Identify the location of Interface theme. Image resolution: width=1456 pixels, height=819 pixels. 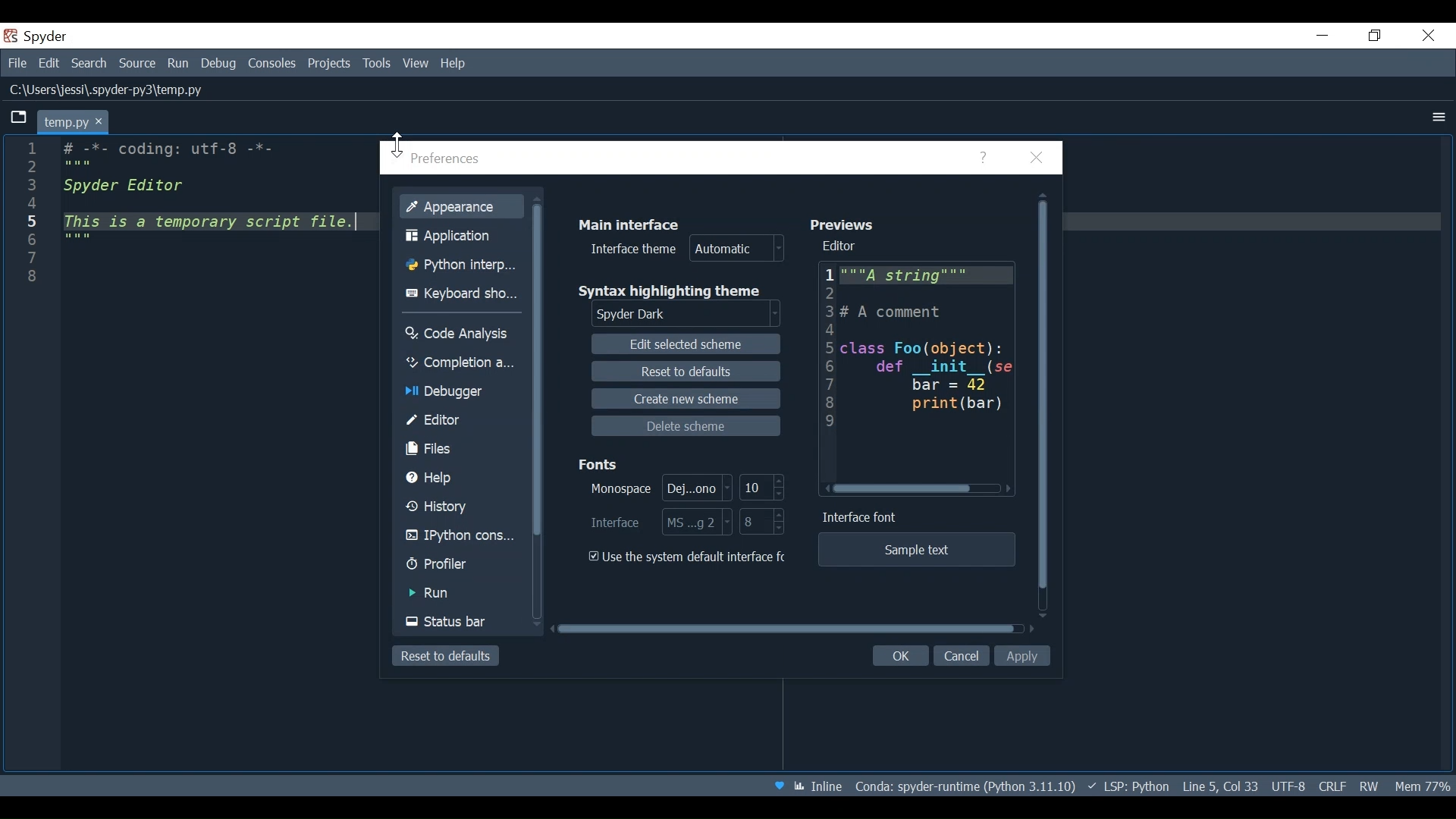
(684, 249).